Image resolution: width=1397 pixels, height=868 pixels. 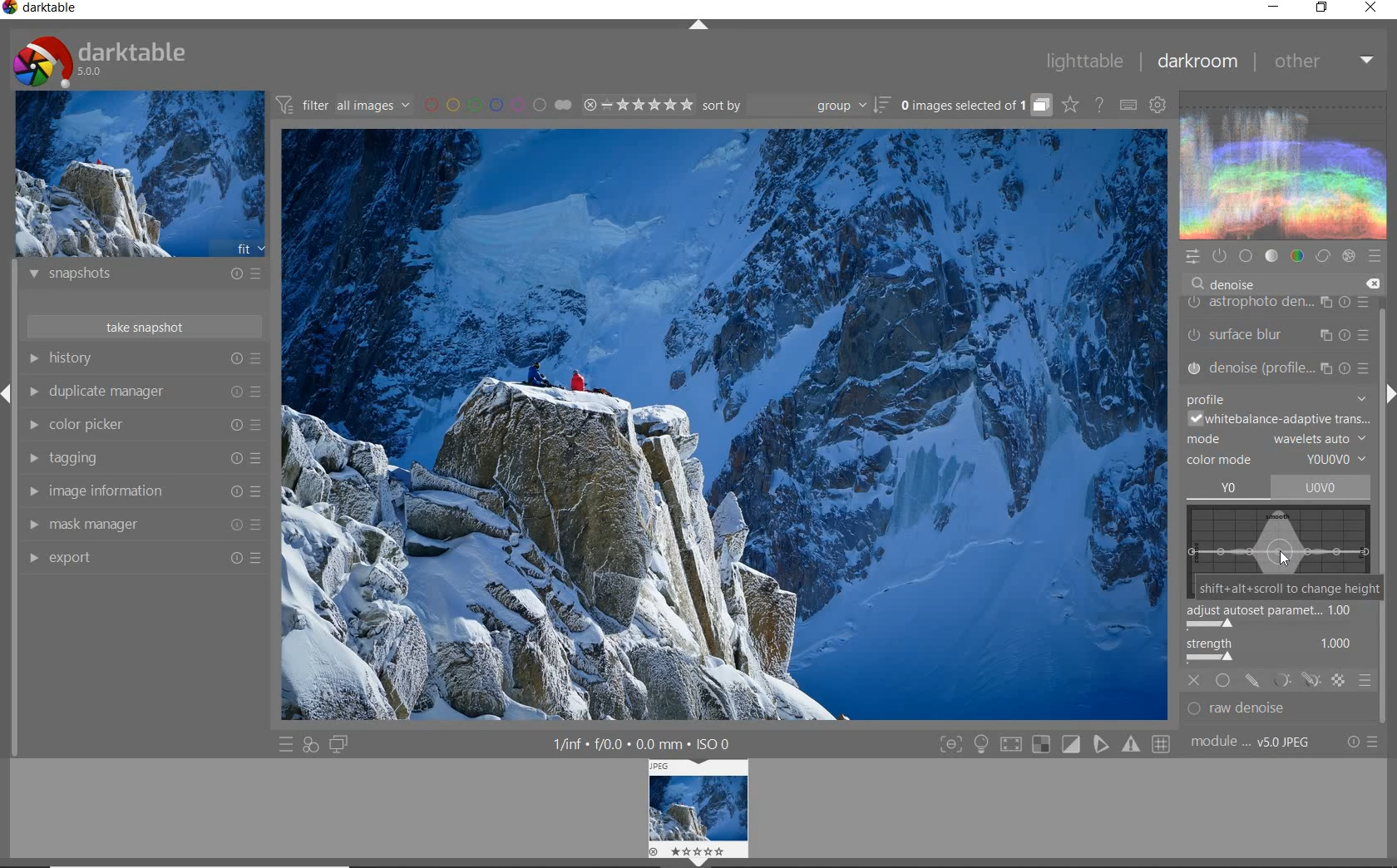 What do you see at coordinates (722, 427) in the screenshot?
I see `selected image` at bounding box center [722, 427].